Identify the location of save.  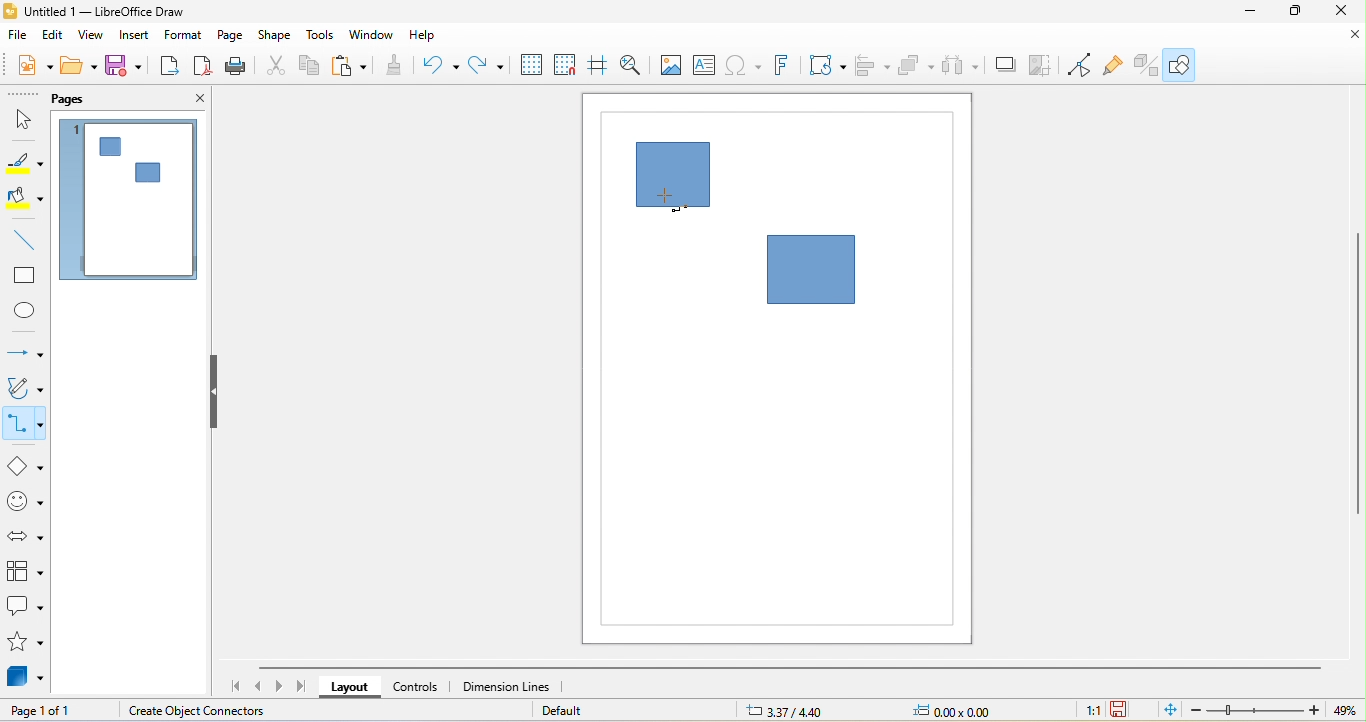
(122, 66).